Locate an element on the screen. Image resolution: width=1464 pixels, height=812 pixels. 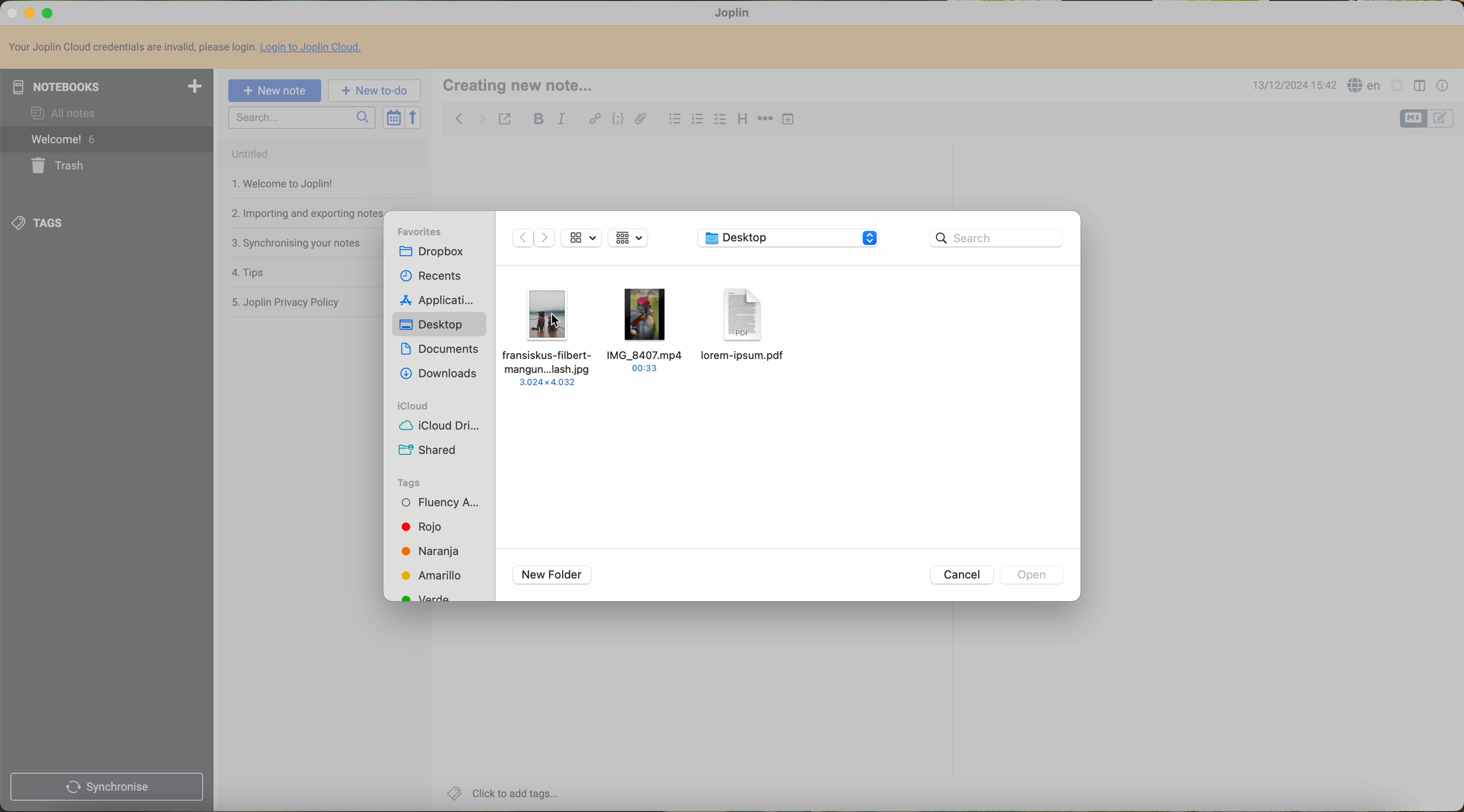
location is located at coordinates (788, 240).